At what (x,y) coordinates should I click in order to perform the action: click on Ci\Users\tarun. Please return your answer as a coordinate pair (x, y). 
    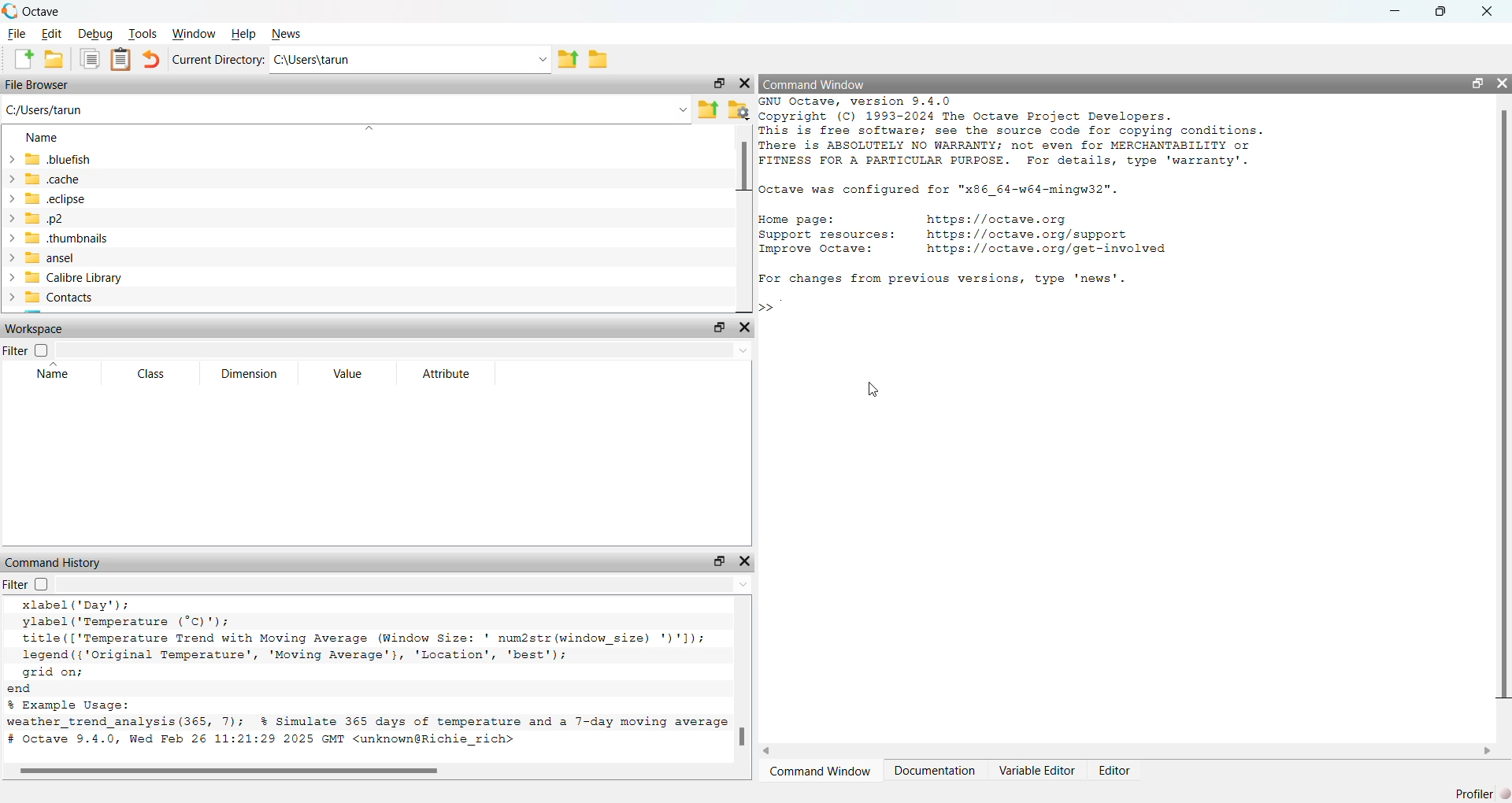
    Looking at the image, I should click on (354, 59).